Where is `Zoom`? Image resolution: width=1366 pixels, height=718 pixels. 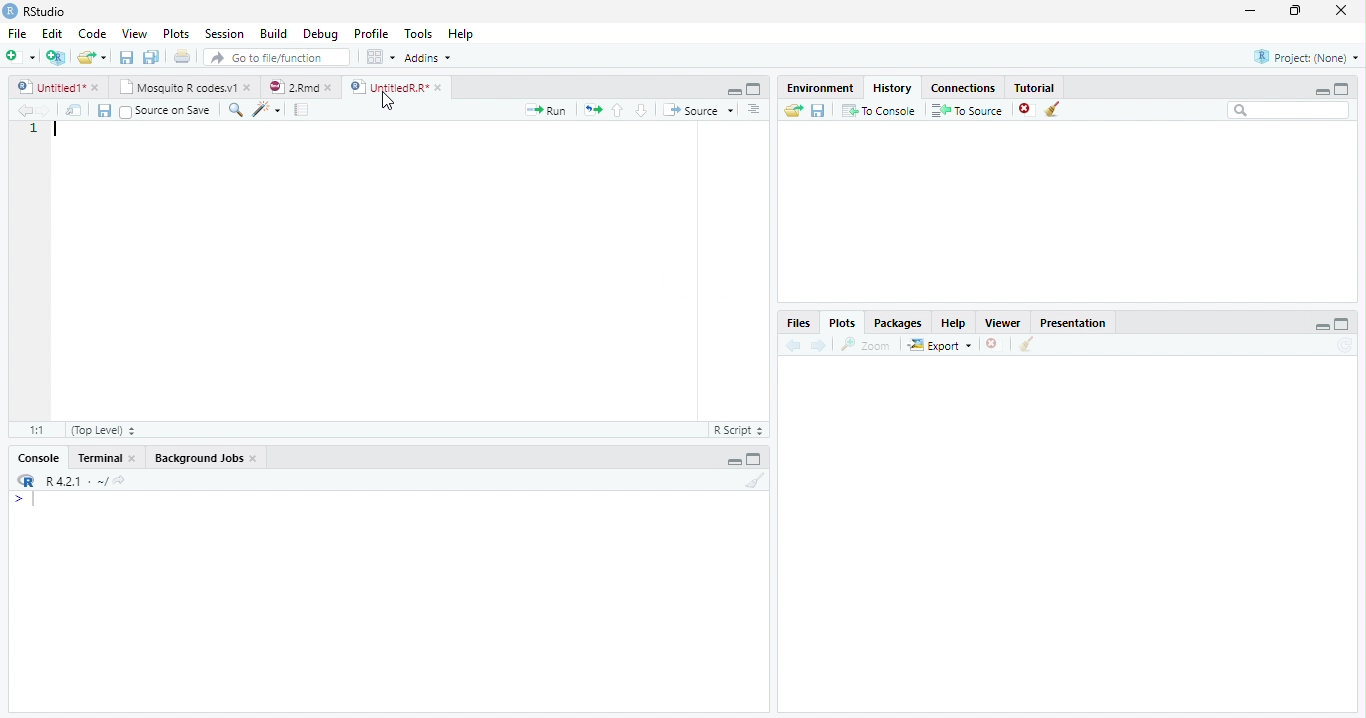
Zoom is located at coordinates (866, 345).